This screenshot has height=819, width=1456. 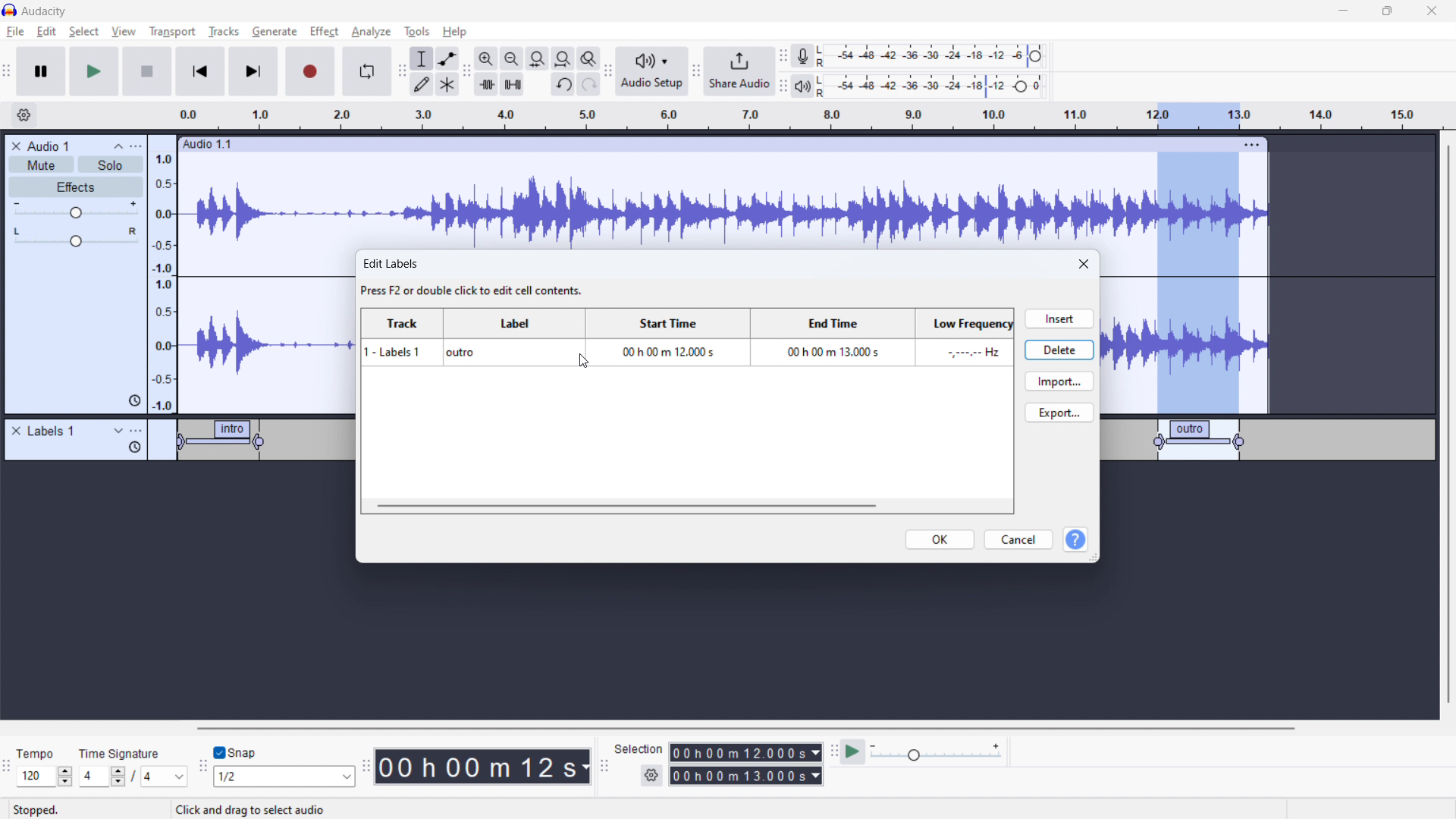 I want to click on timeline, so click(x=180, y=510).